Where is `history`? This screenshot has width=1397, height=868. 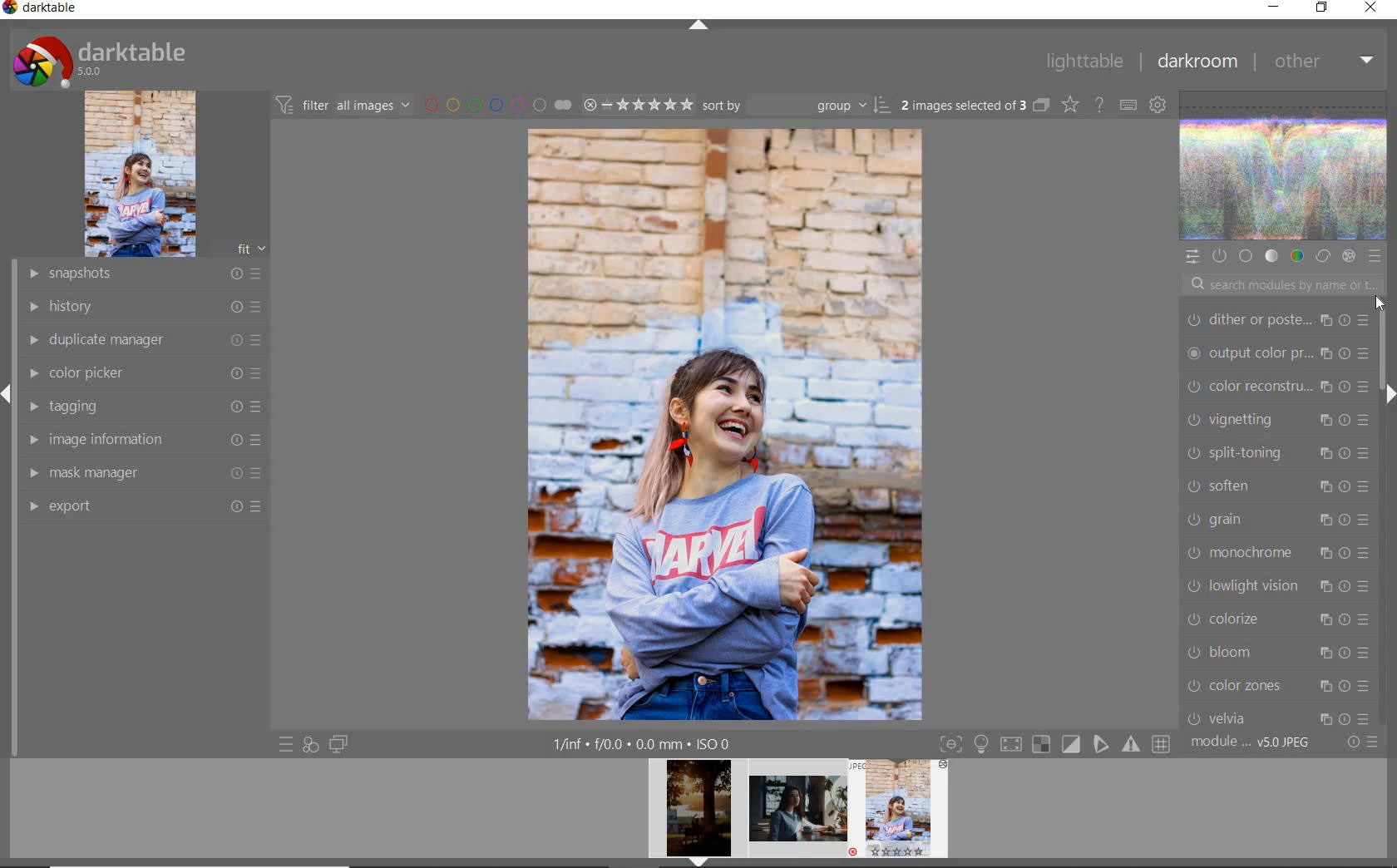
history is located at coordinates (144, 305).